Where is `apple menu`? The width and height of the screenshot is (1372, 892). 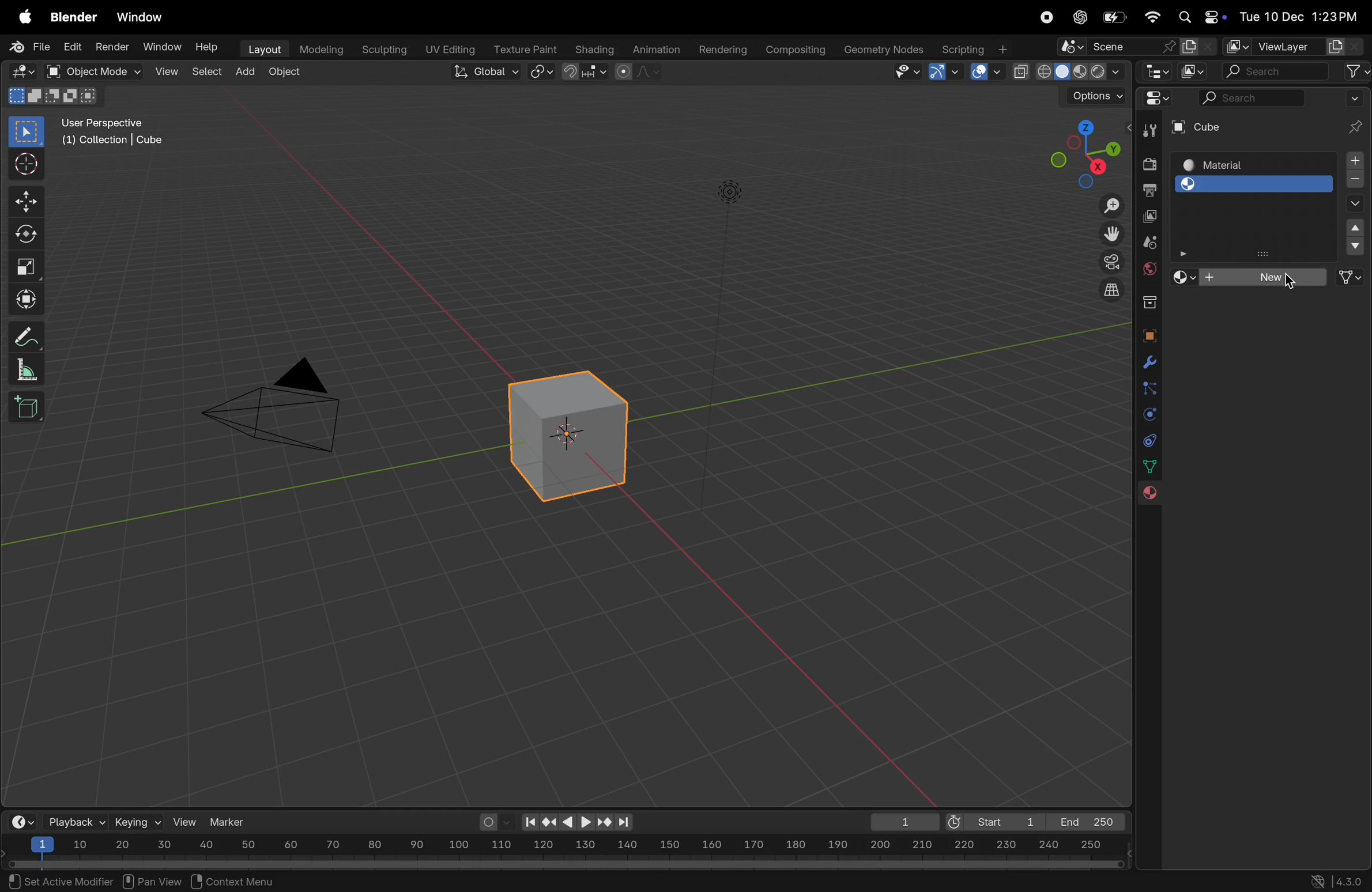
apple menu is located at coordinates (20, 18).